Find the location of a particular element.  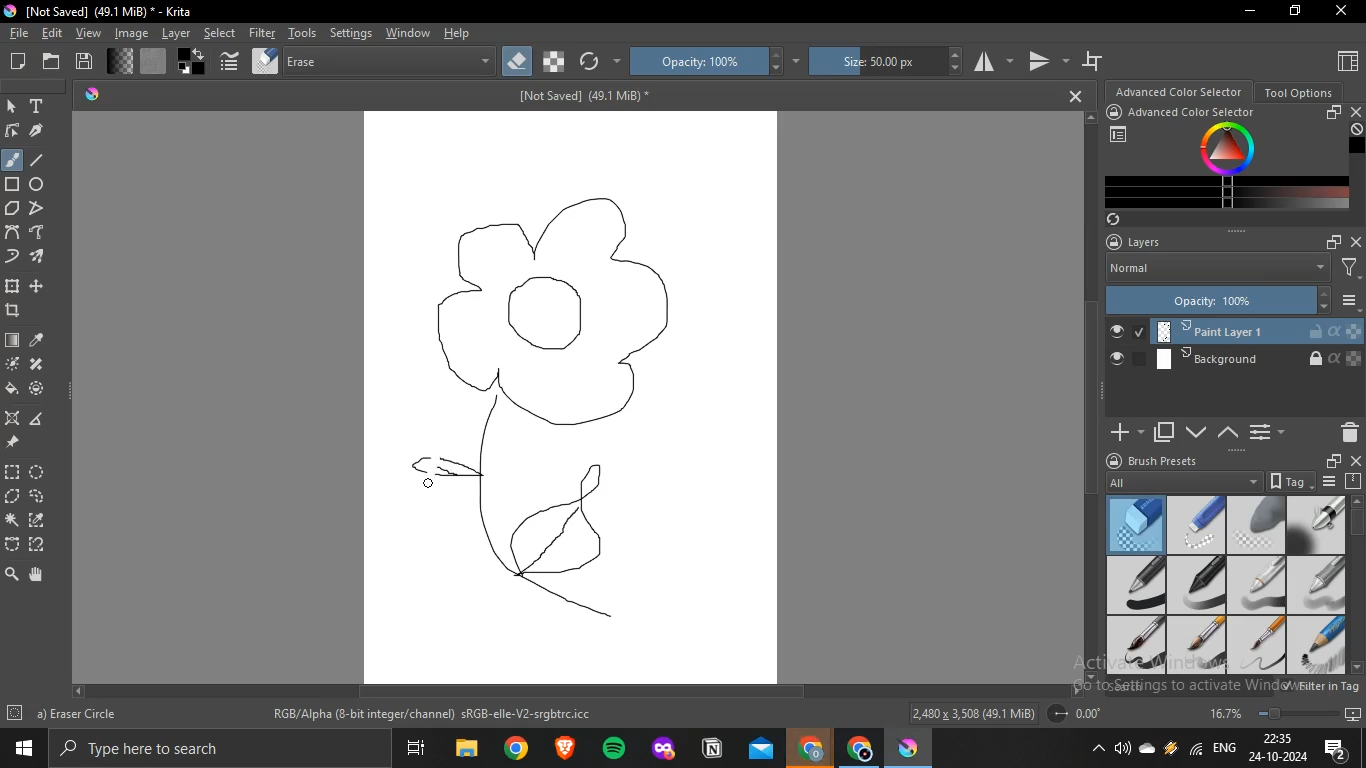

fill patterns is located at coordinates (156, 61).